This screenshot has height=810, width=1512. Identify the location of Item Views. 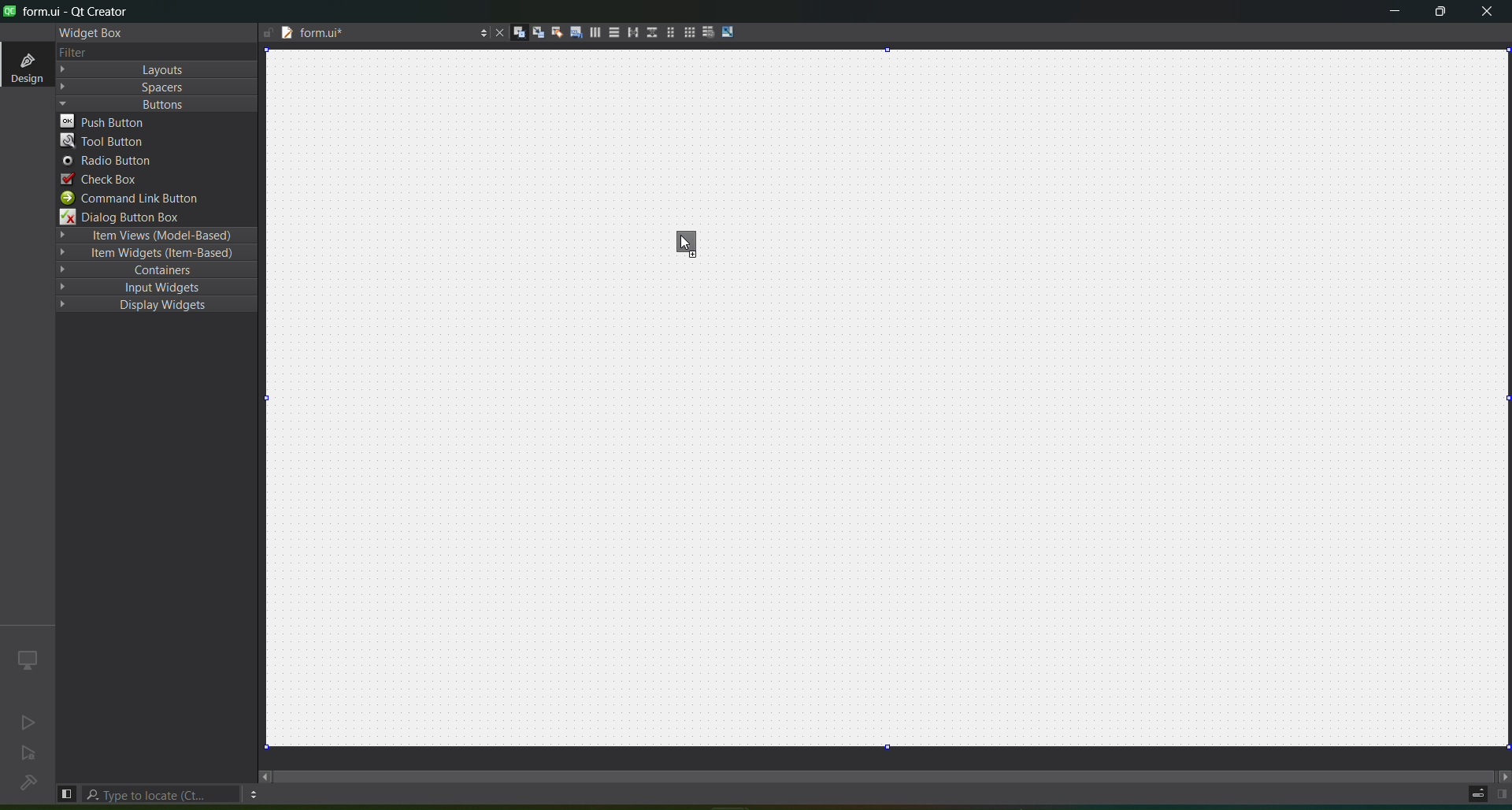
(157, 235).